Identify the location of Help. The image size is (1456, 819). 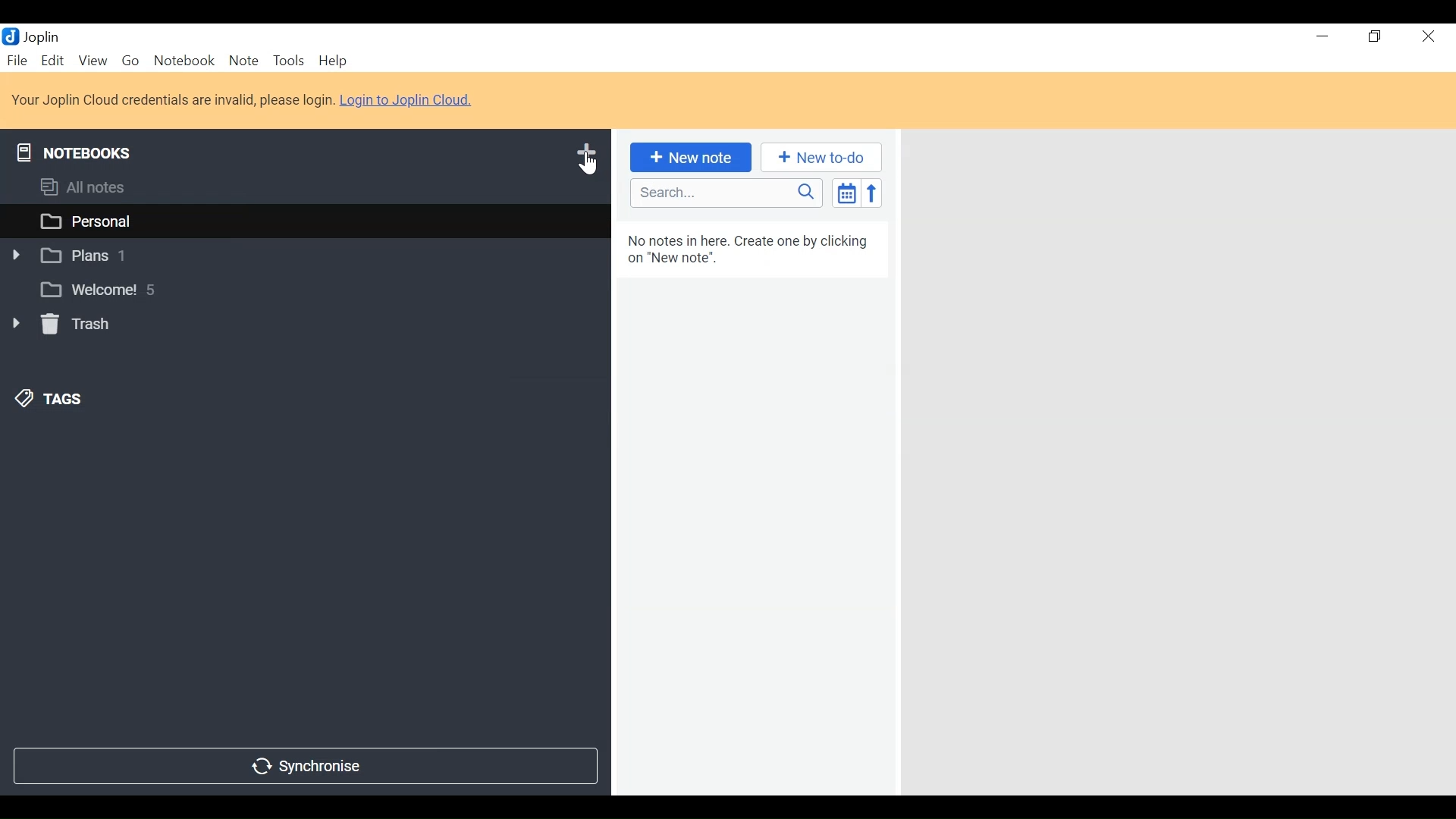
(331, 60).